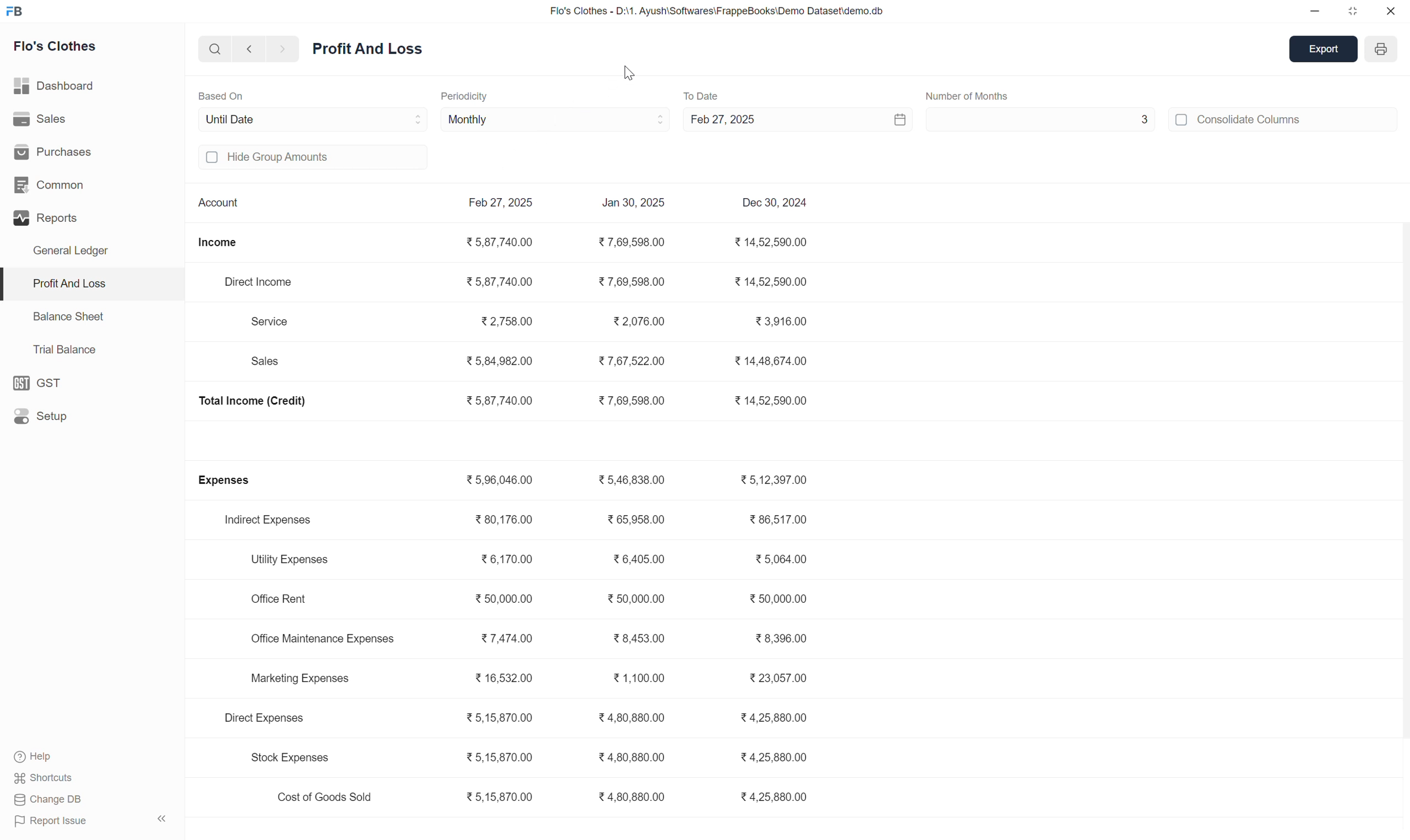 This screenshot has width=1410, height=840. What do you see at coordinates (626, 362) in the screenshot?
I see `₹7,67,522.00` at bounding box center [626, 362].